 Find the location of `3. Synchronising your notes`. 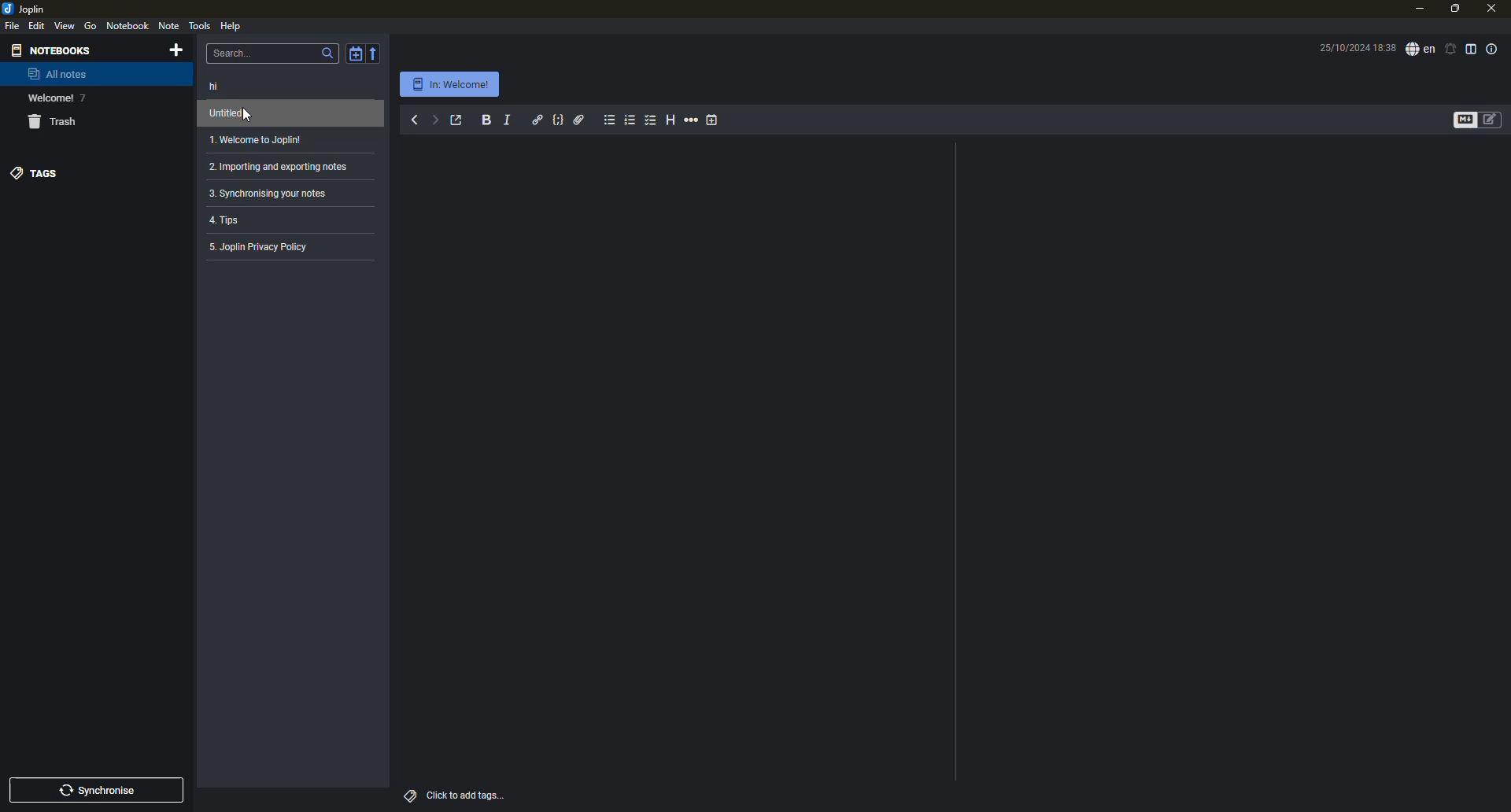

3. Synchronising your notes is located at coordinates (272, 194).